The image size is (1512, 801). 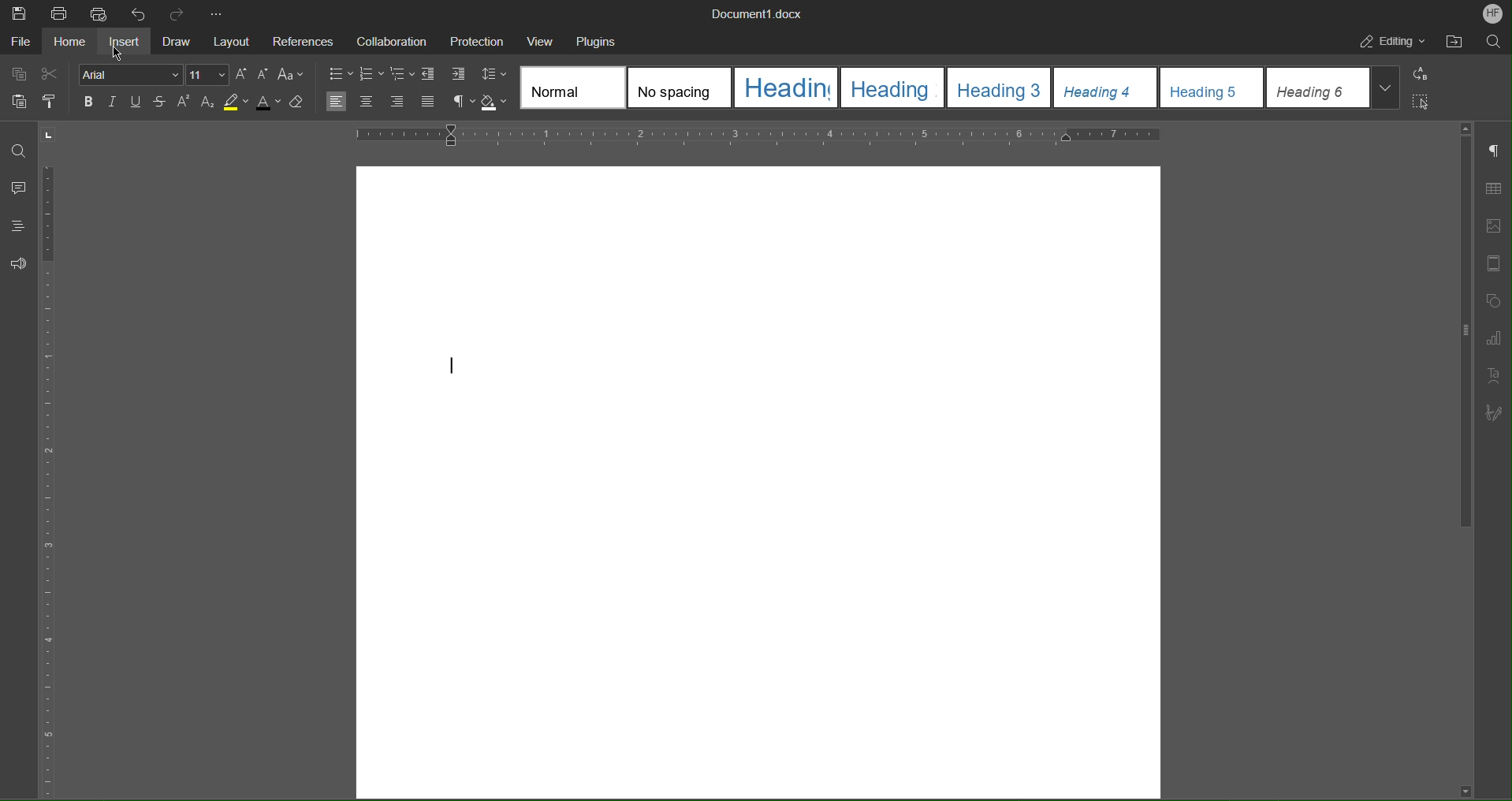 What do you see at coordinates (998, 88) in the screenshot?
I see `Heading 3` at bounding box center [998, 88].